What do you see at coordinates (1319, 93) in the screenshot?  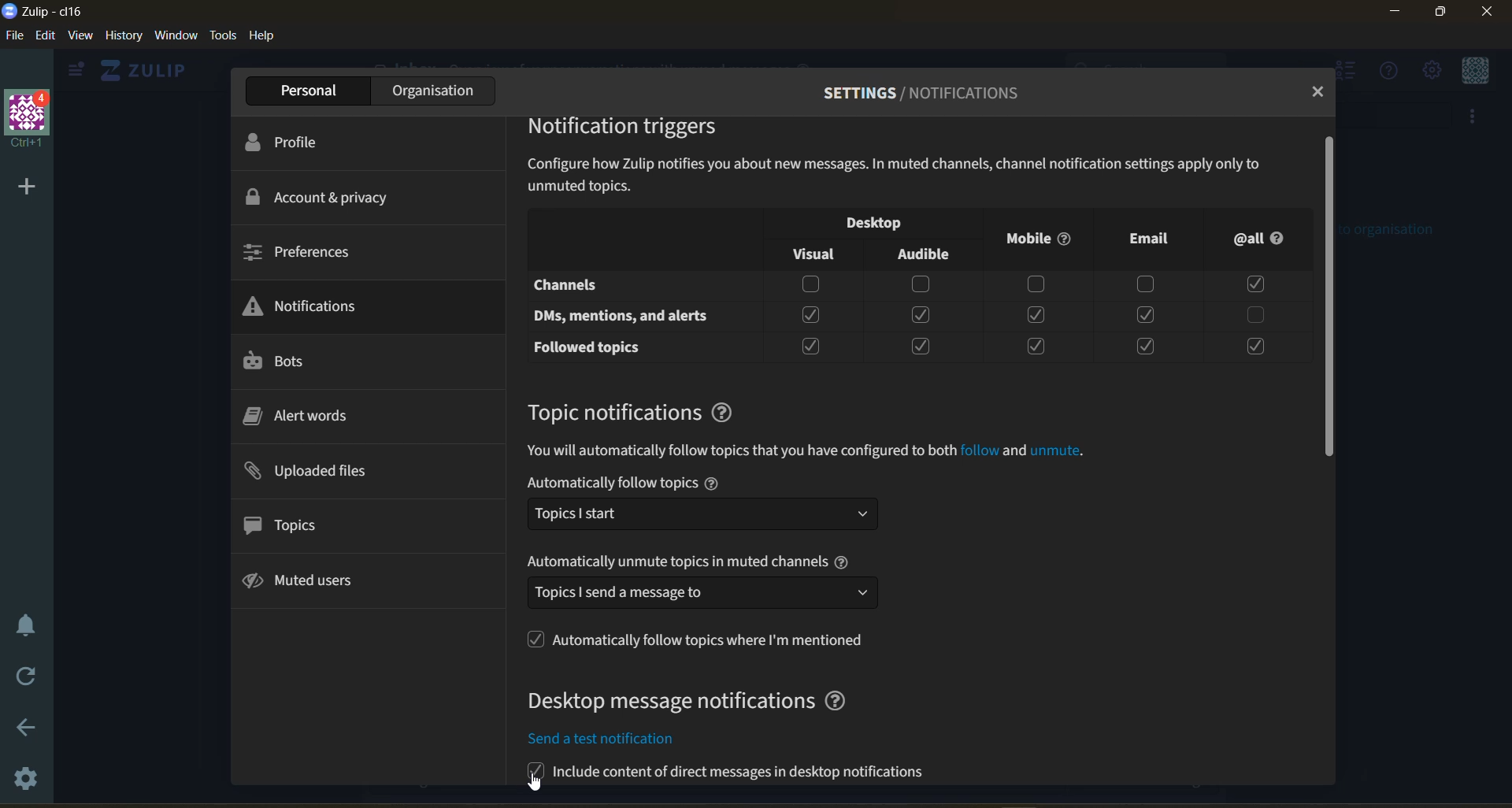 I see `close tab` at bounding box center [1319, 93].